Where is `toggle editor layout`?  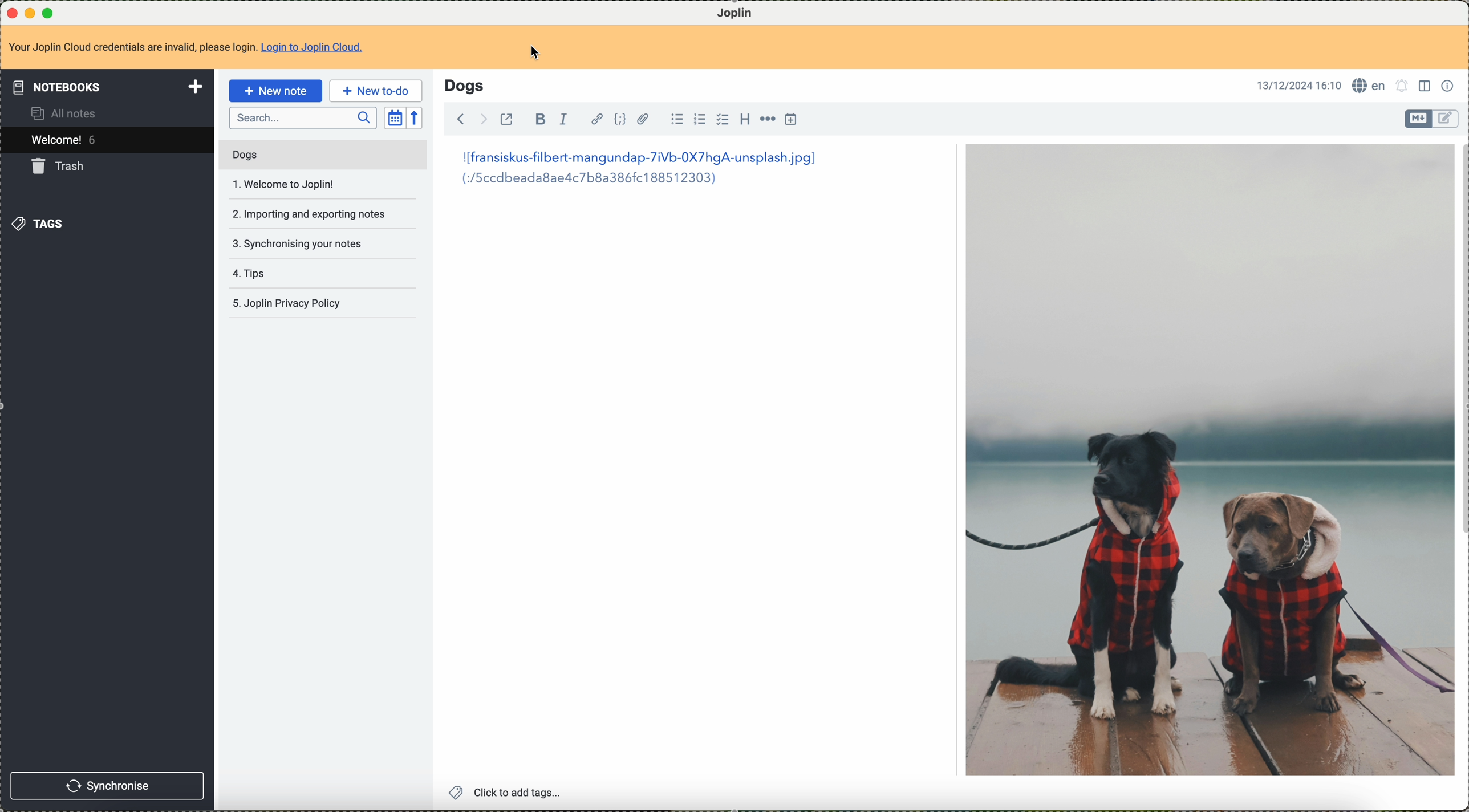
toggle editor layout is located at coordinates (1427, 87).